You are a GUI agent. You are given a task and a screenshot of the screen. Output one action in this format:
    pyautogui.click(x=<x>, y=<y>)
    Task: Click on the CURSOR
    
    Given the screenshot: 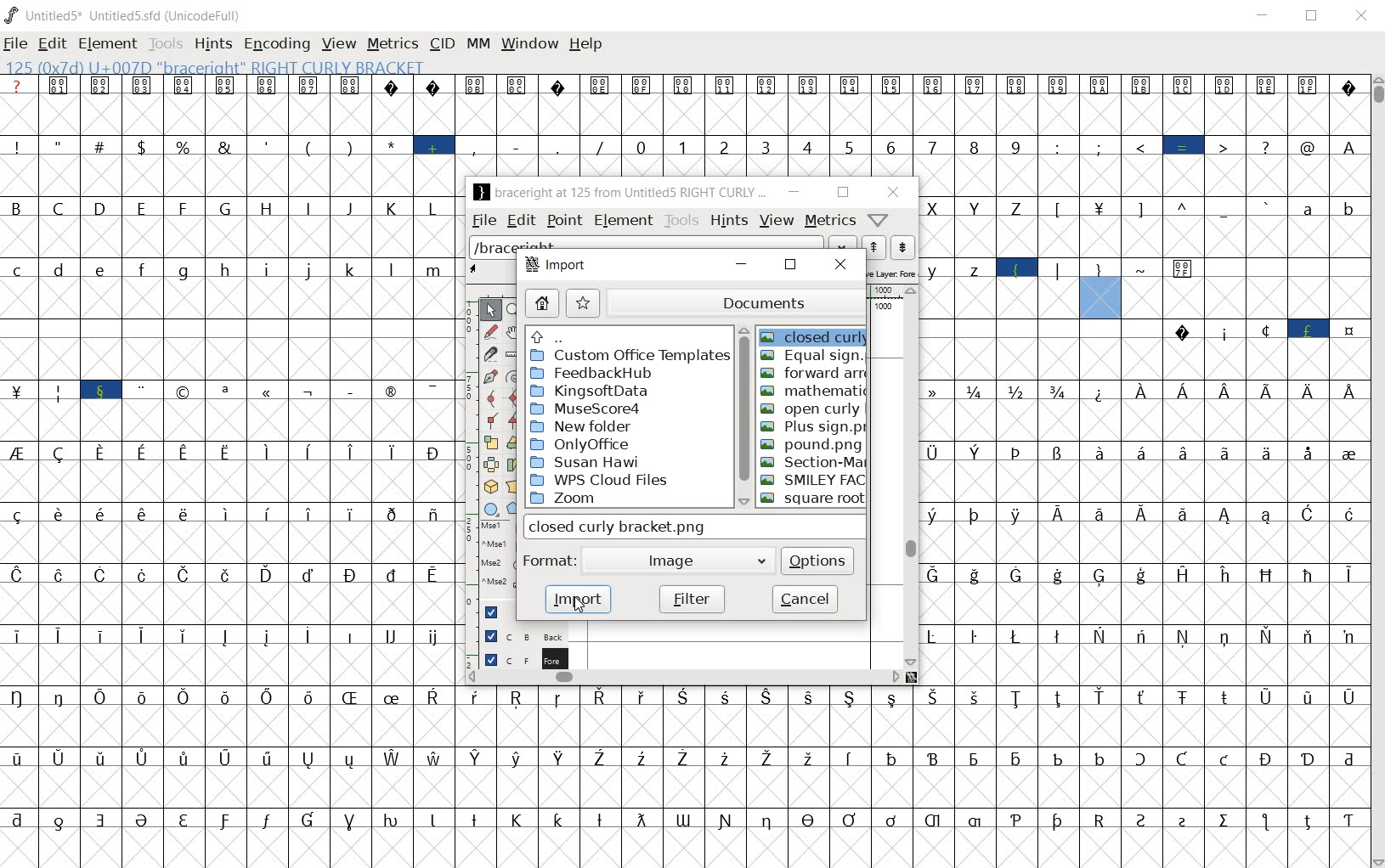 What is the action you would take?
    pyautogui.click(x=792, y=341)
    